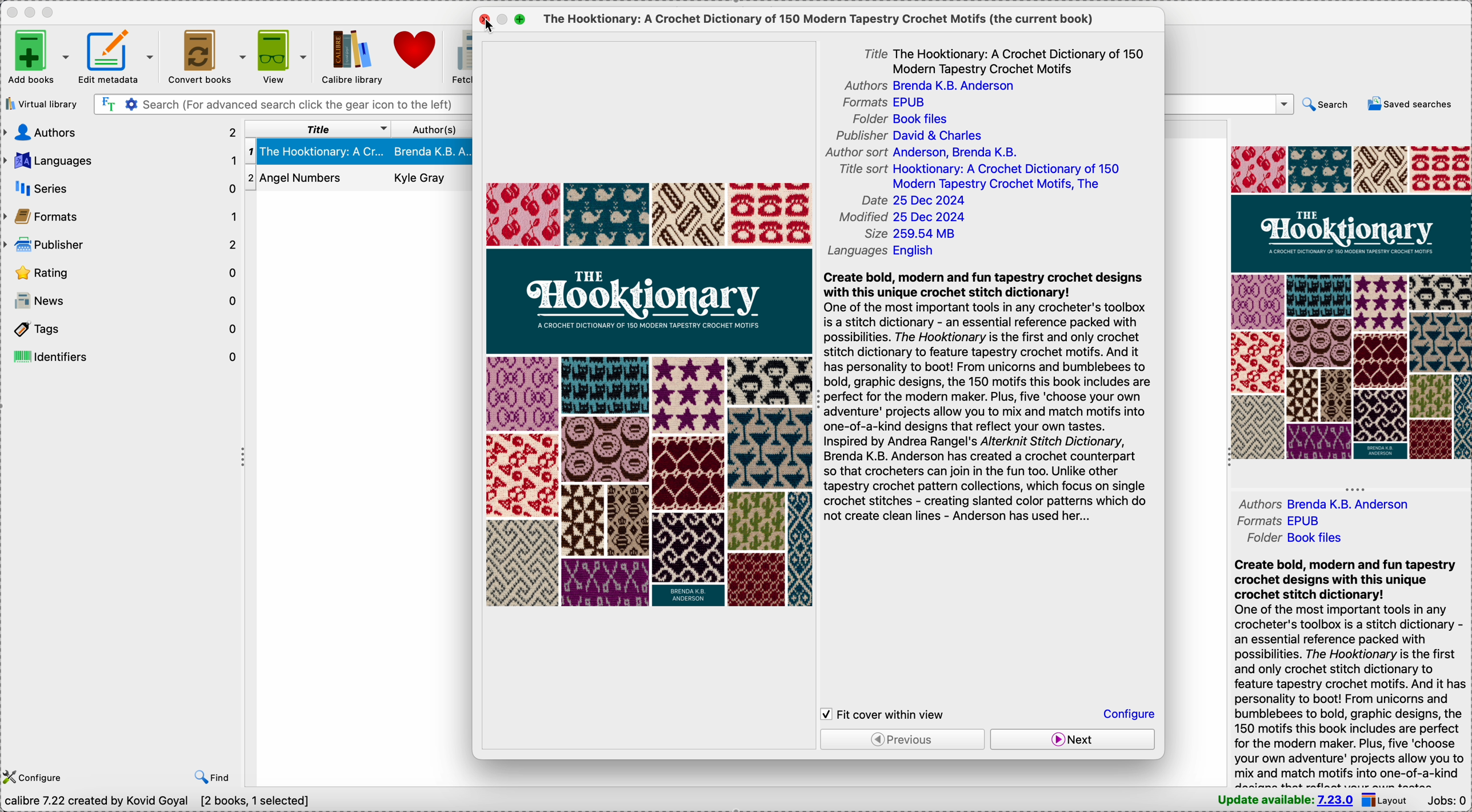  Describe the element at coordinates (211, 778) in the screenshot. I see `find` at that location.